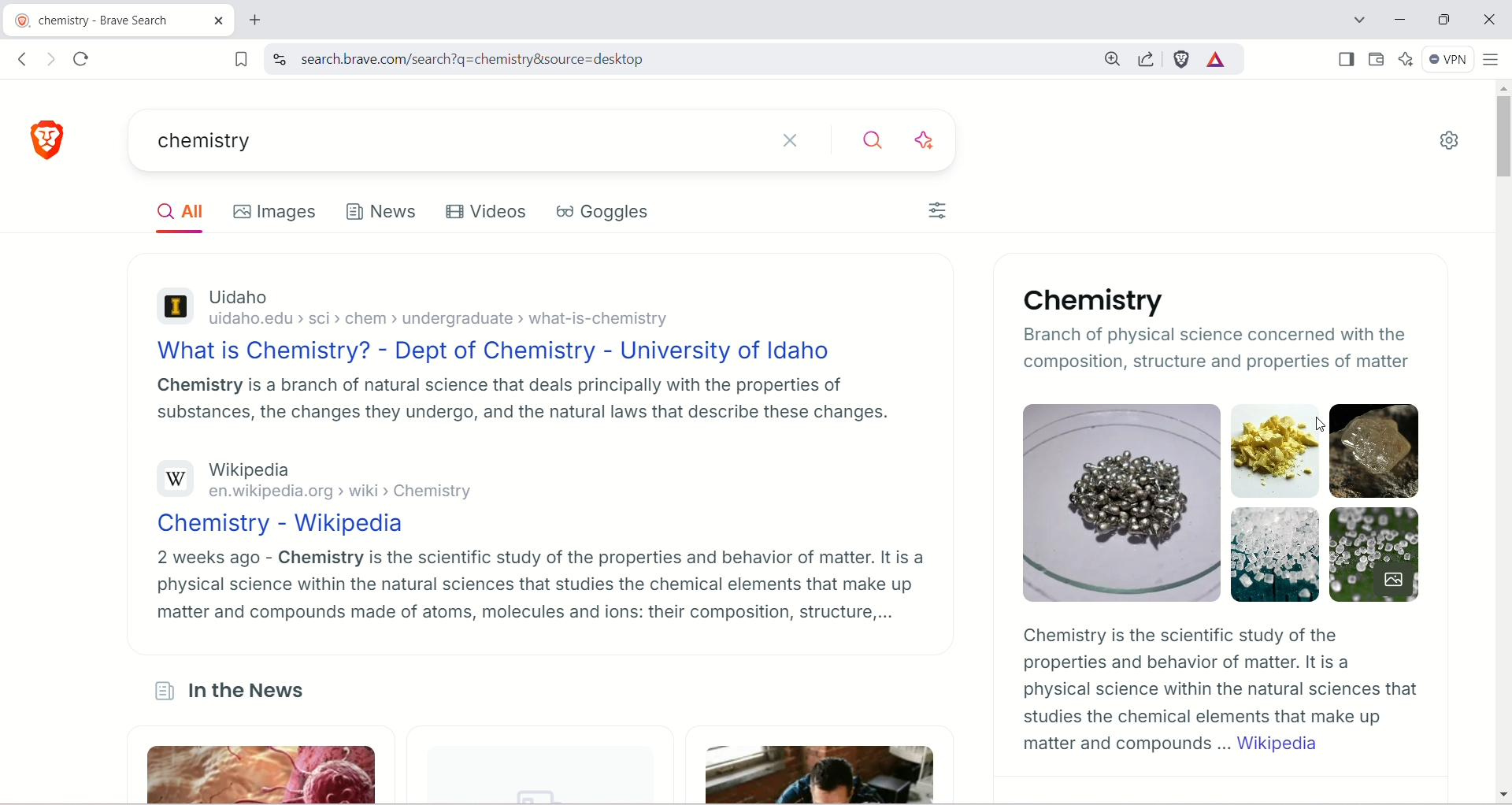 Image resolution: width=1512 pixels, height=805 pixels. What do you see at coordinates (22, 59) in the screenshot?
I see `go back` at bounding box center [22, 59].